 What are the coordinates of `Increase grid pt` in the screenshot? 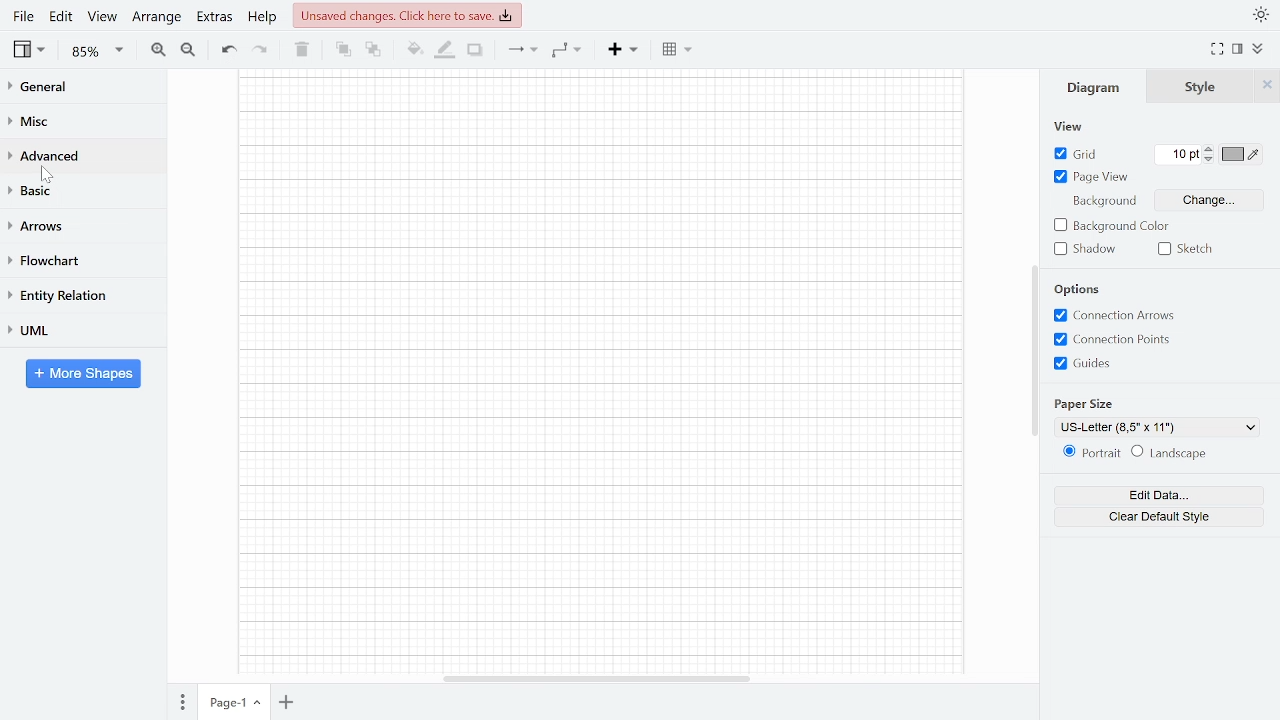 It's located at (1210, 148).